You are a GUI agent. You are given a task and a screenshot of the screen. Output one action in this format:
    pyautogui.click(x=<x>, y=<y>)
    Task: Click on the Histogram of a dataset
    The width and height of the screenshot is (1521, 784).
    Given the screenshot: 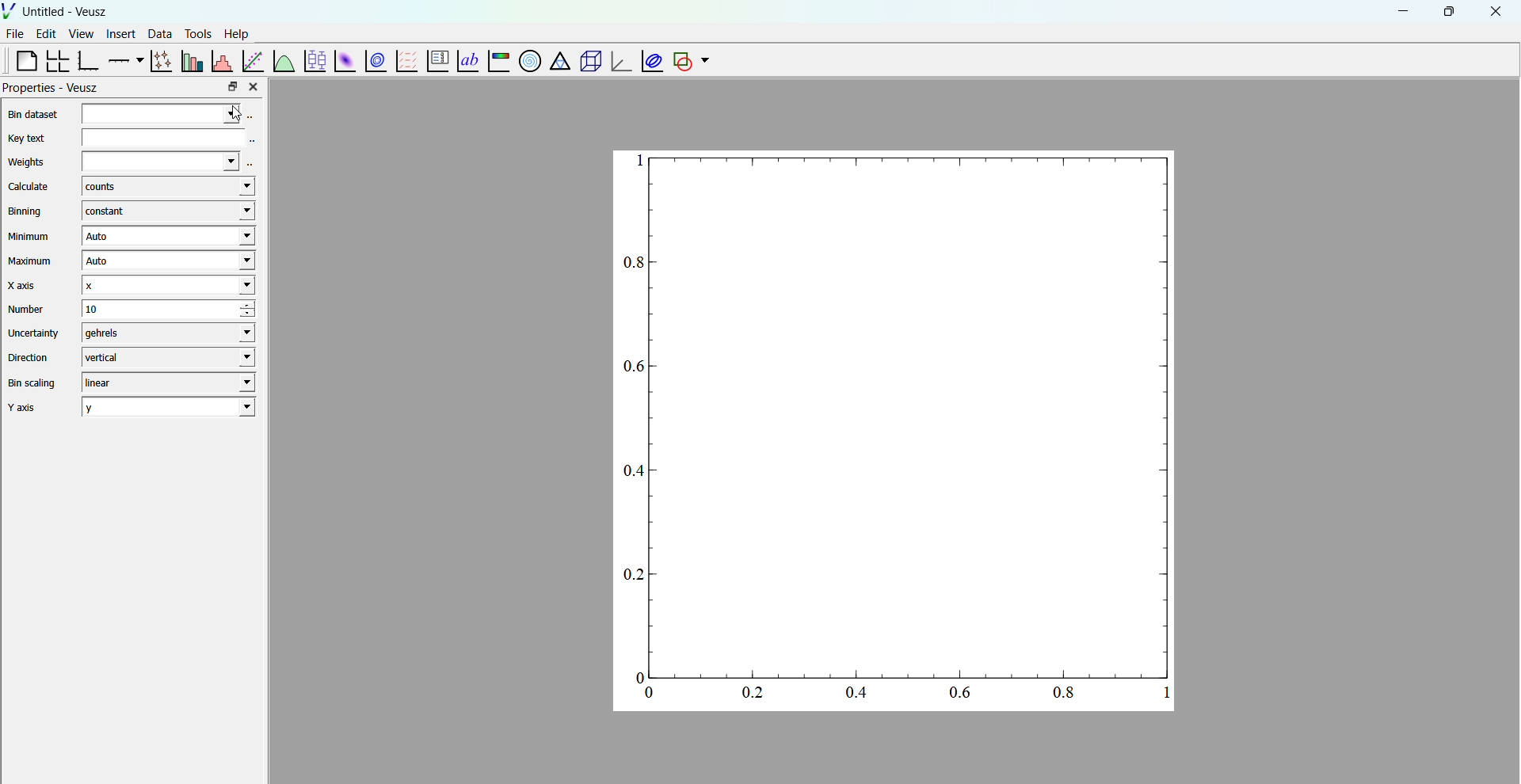 What is the action you would take?
    pyautogui.click(x=221, y=59)
    